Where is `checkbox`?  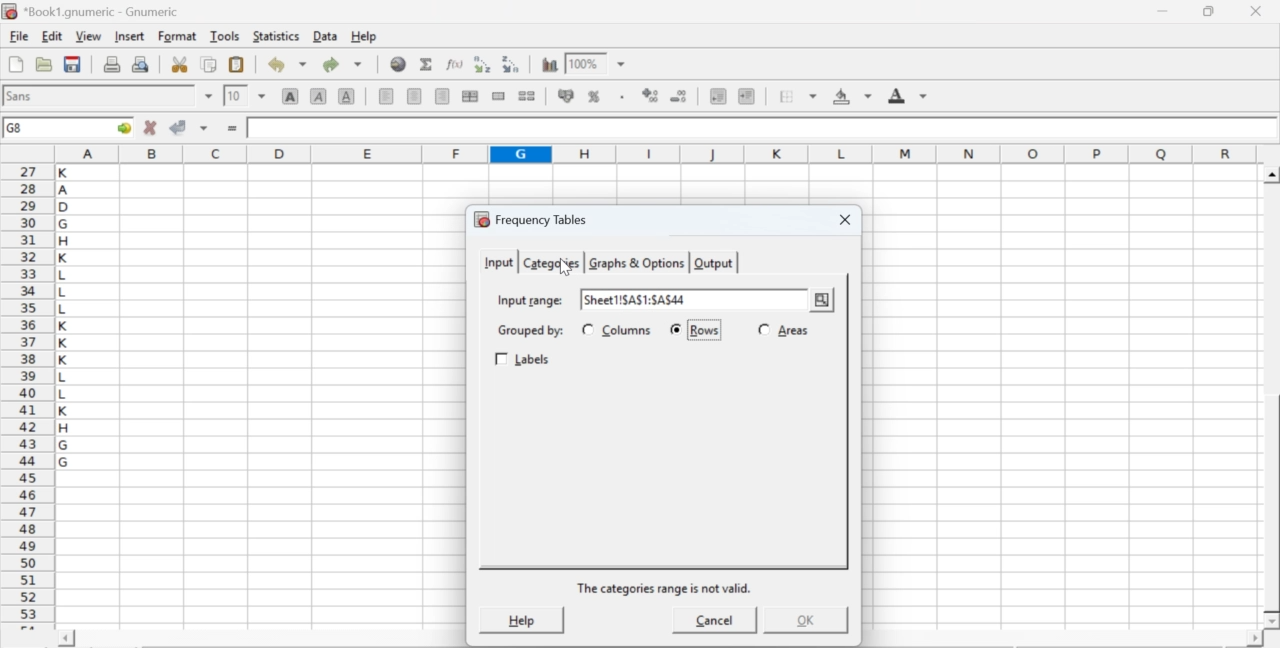 checkbox is located at coordinates (587, 329).